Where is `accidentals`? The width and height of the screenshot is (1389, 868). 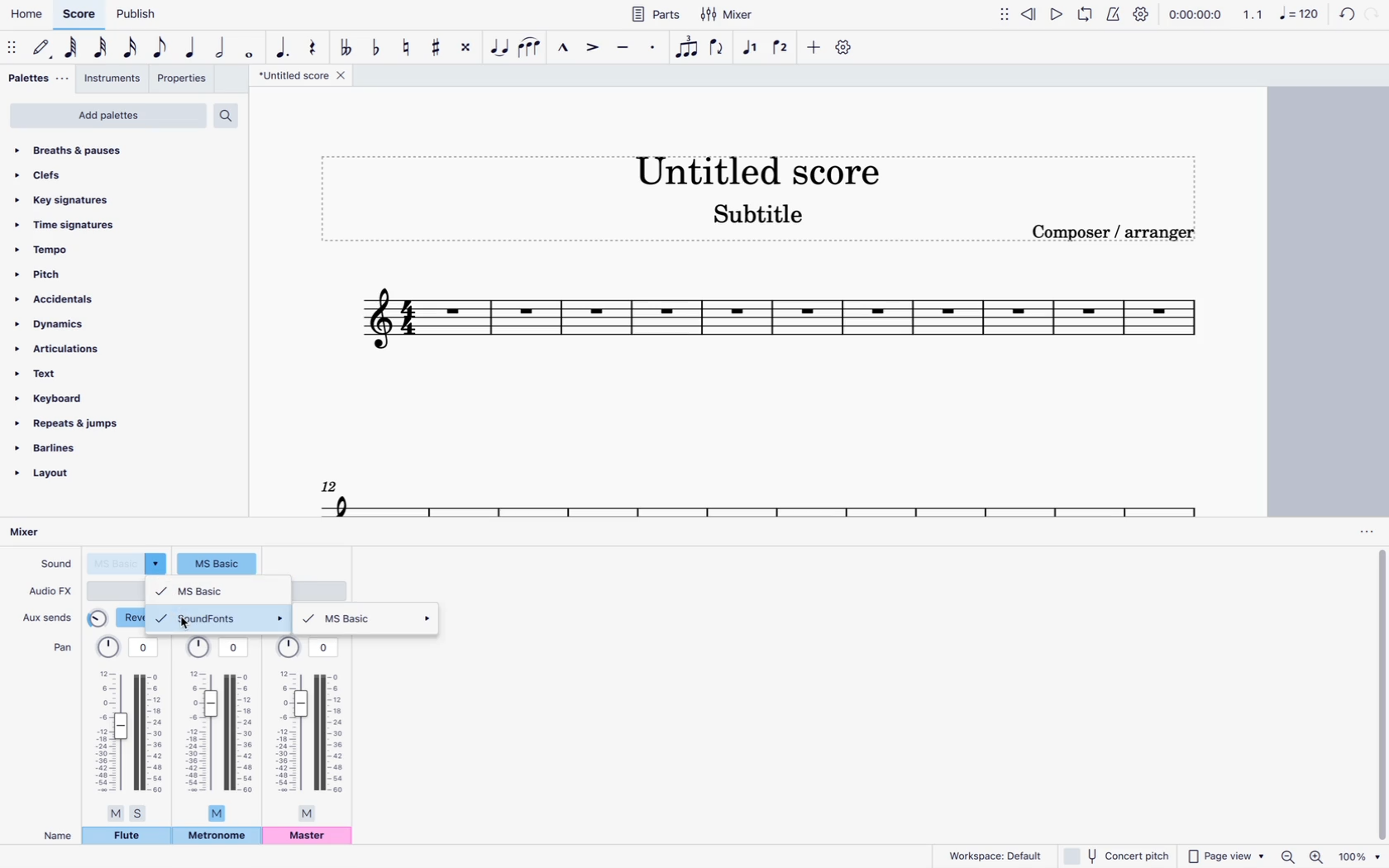 accidentals is located at coordinates (63, 299).